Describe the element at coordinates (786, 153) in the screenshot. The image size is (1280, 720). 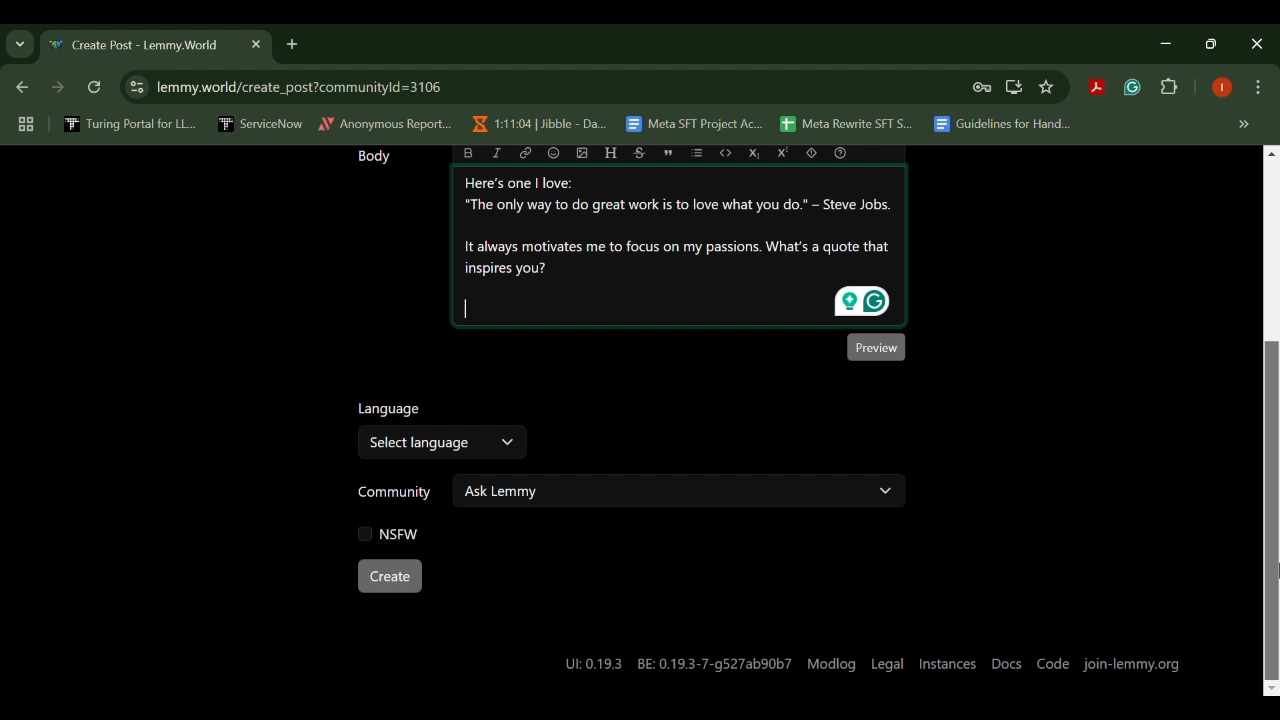
I see `Superscript` at that location.